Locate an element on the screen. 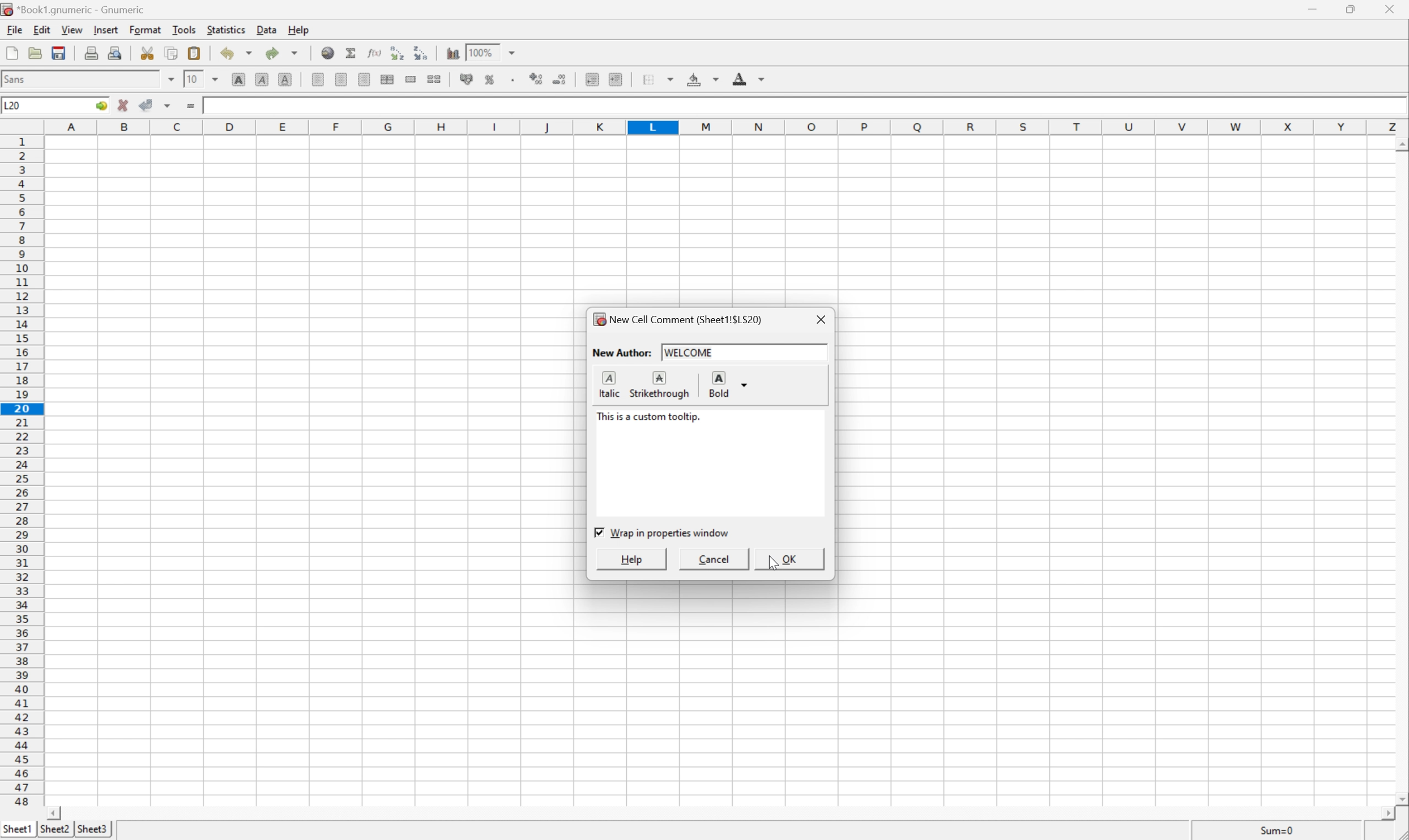  Borders is located at coordinates (659, 79).